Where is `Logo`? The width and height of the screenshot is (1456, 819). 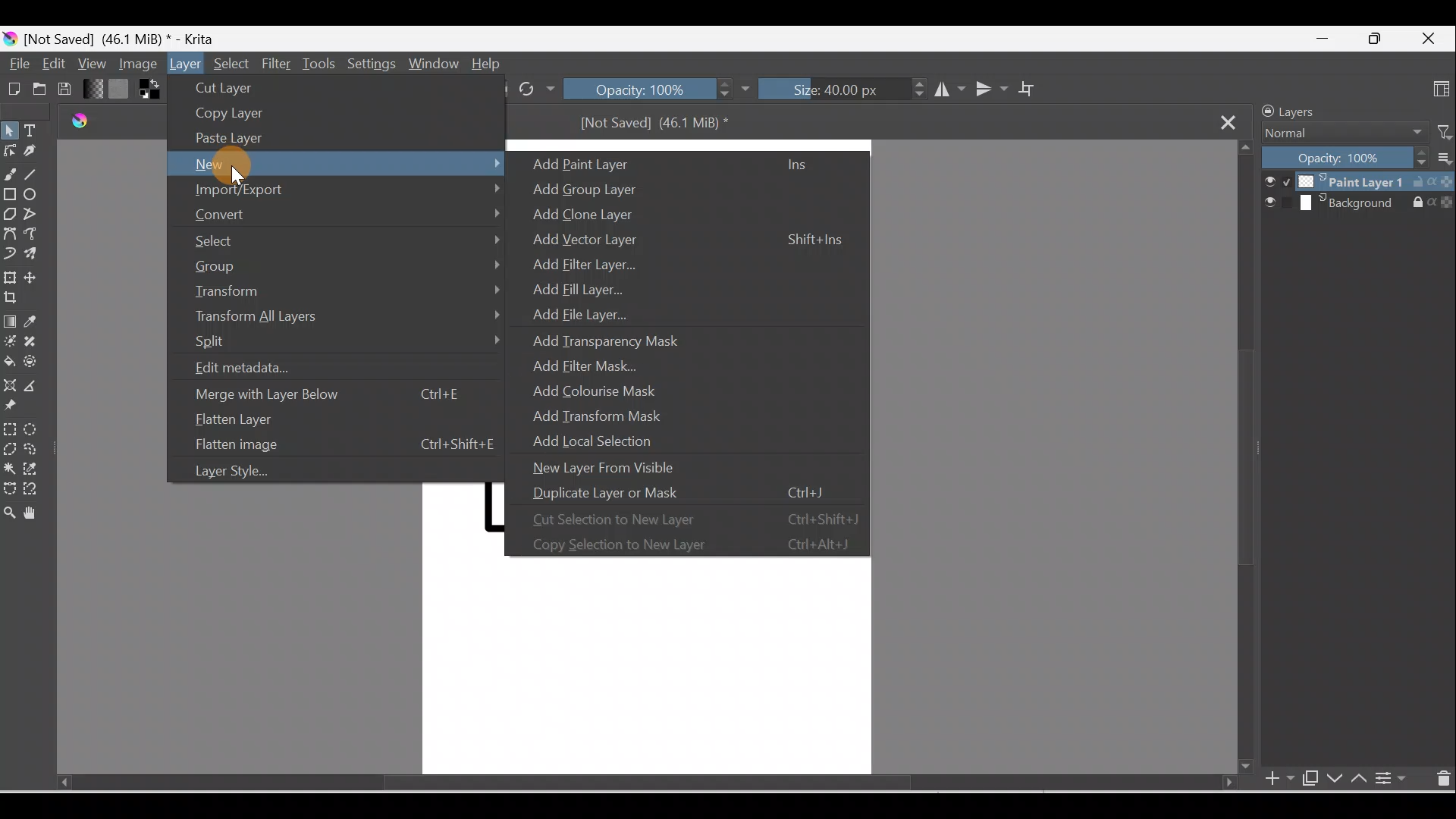
Logo is located at coordinates (75, 123).